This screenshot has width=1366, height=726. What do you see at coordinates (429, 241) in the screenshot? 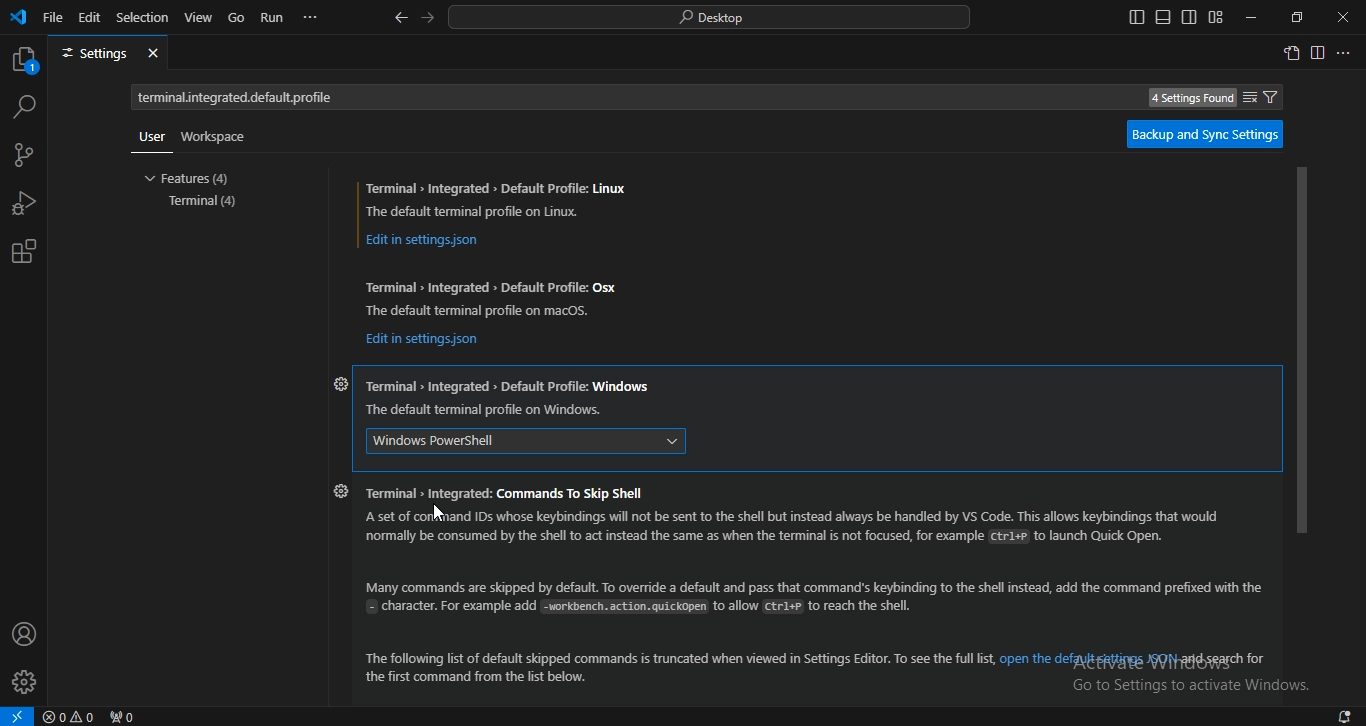
I see ` Edit in settingsjson` at bounding box center [429, 241].